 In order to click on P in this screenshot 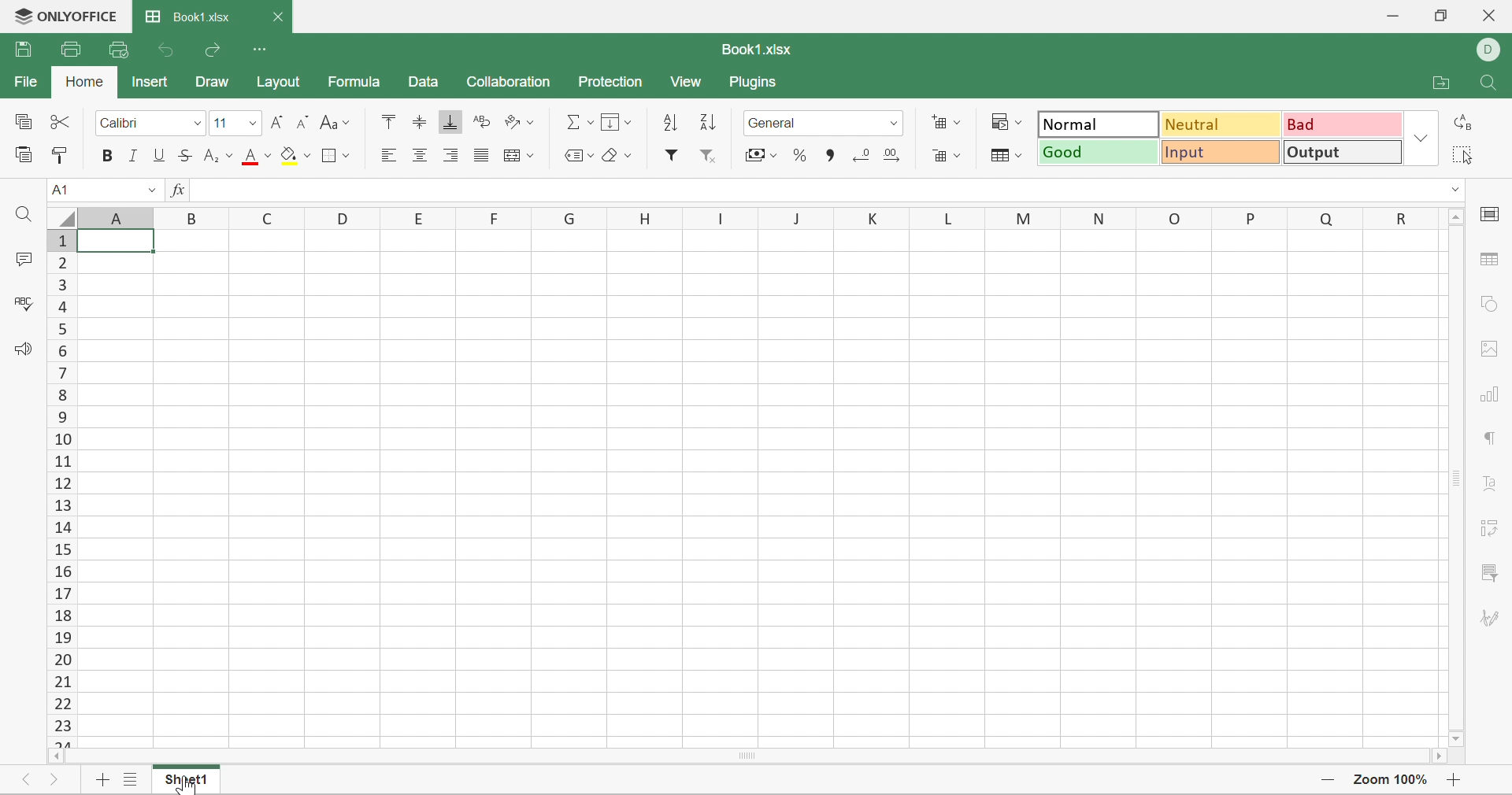, I will do `click(1254, 216)`.